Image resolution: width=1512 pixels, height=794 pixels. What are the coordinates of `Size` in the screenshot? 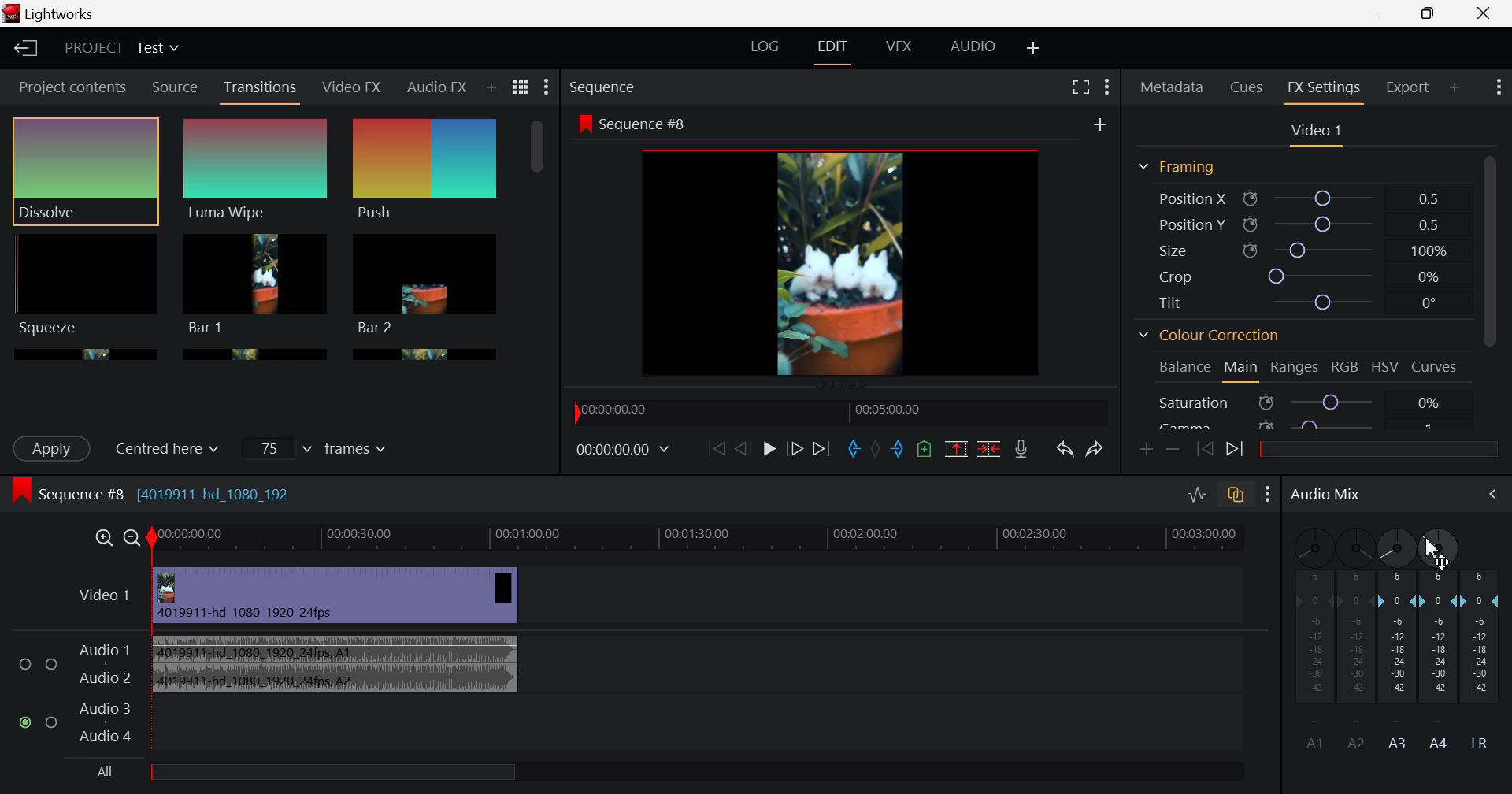 It's located at (1300, 247).